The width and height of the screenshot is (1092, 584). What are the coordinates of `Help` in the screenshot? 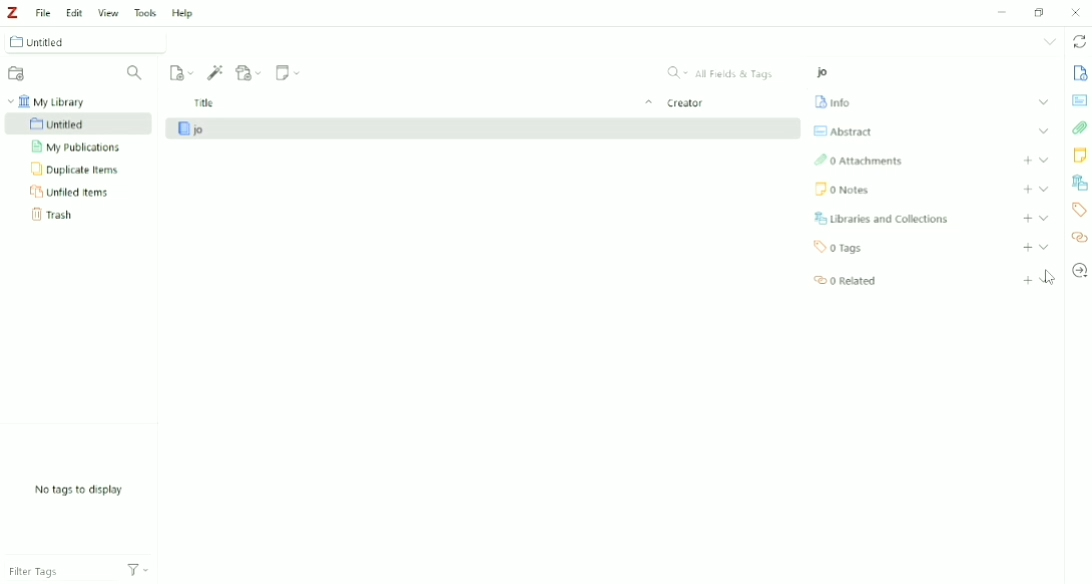 It's located at (184, 13).